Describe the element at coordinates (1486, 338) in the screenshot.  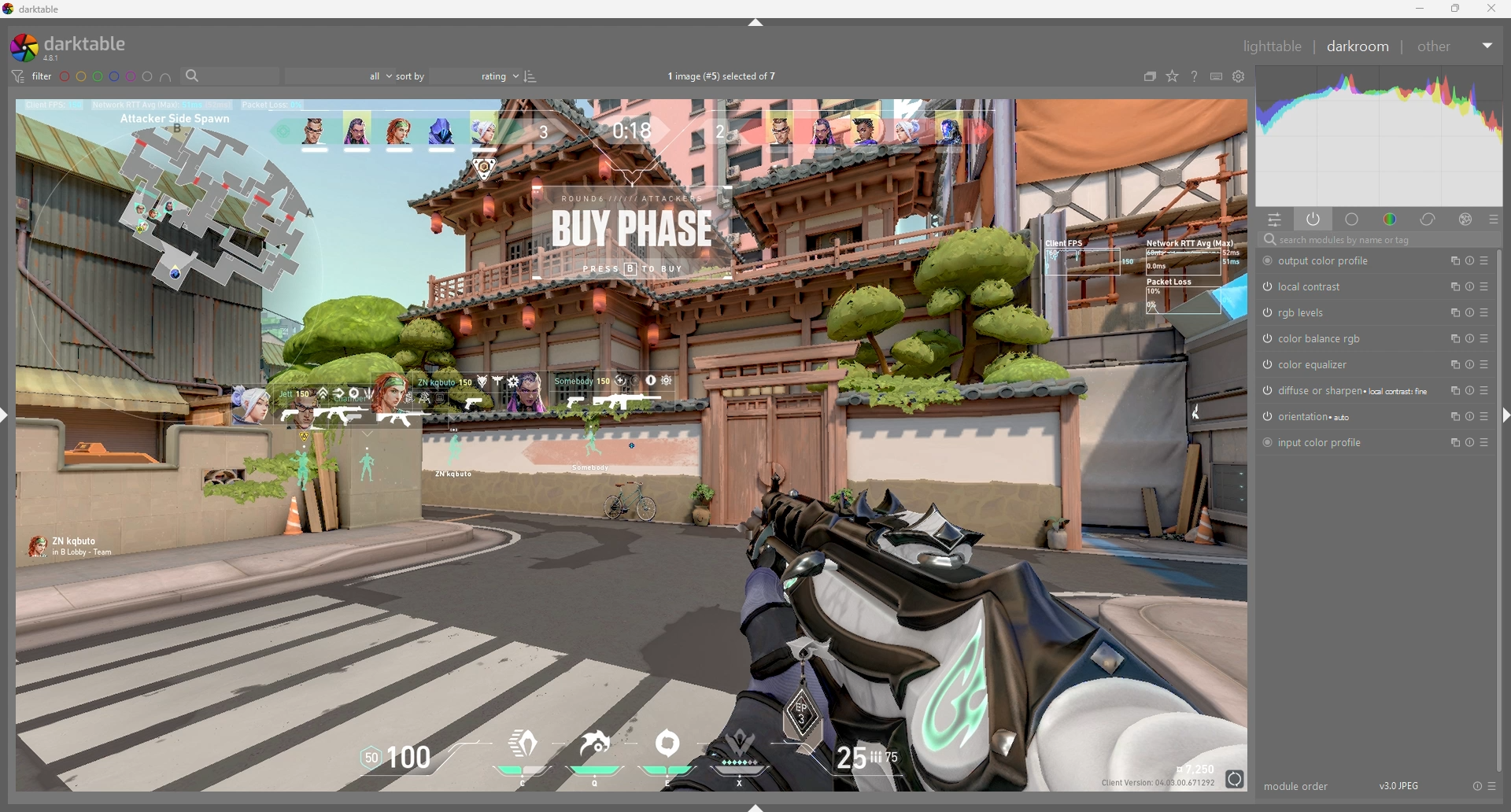
I see `presets` at that location.